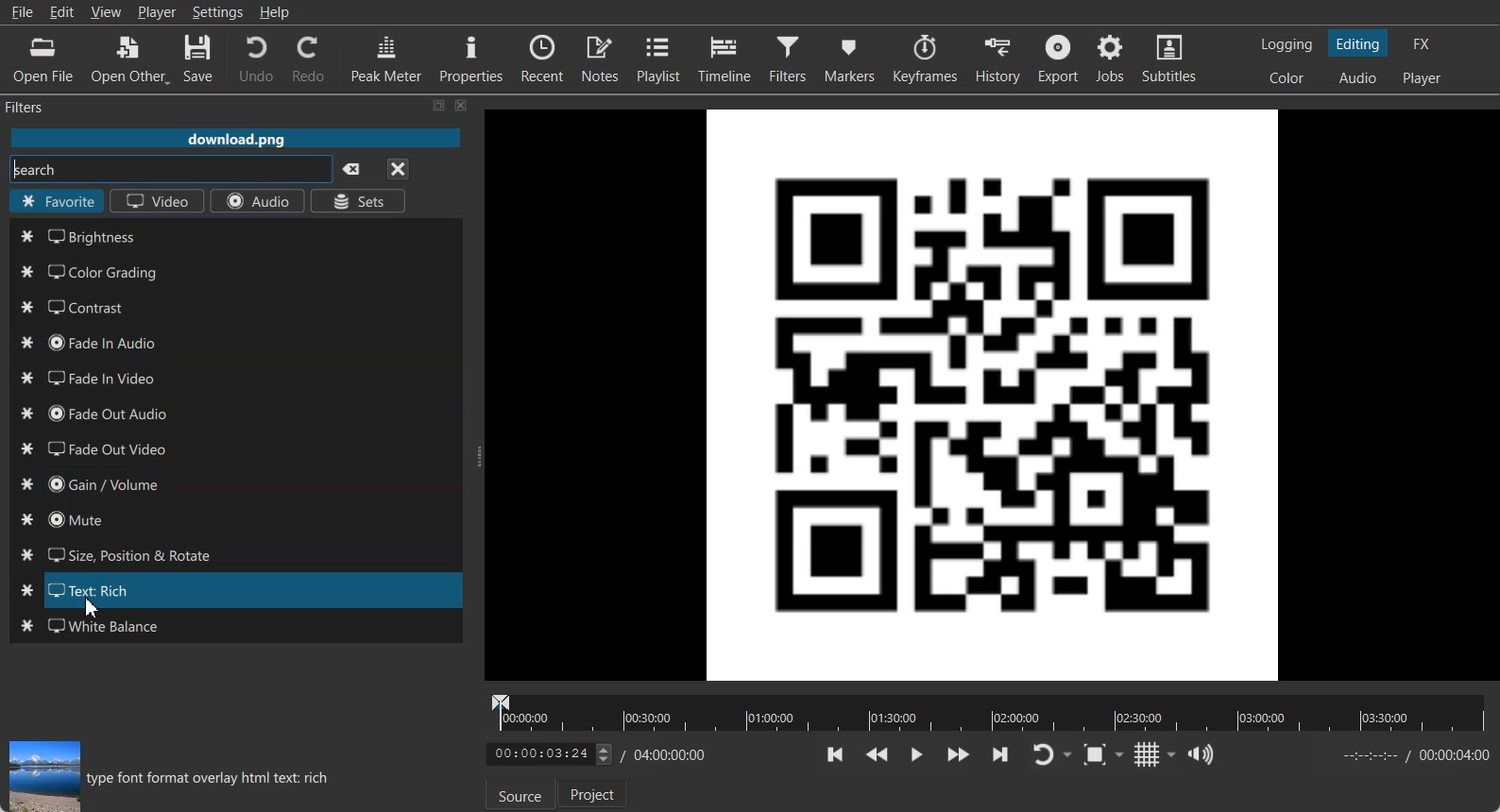 The image size is (1500, 812). I want to click on Fade in Video, so click(236, 377).